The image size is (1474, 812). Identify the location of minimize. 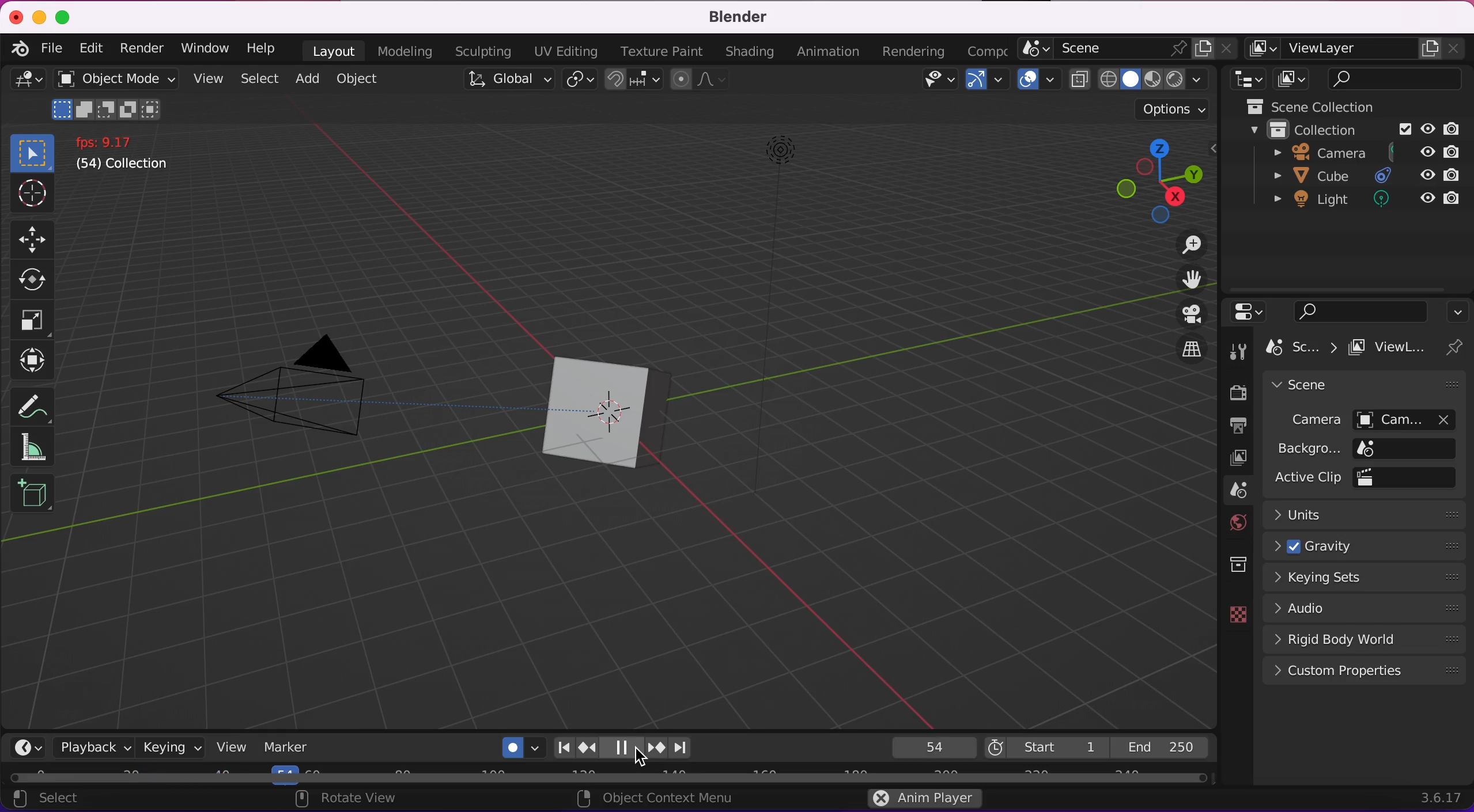
(40, 17).